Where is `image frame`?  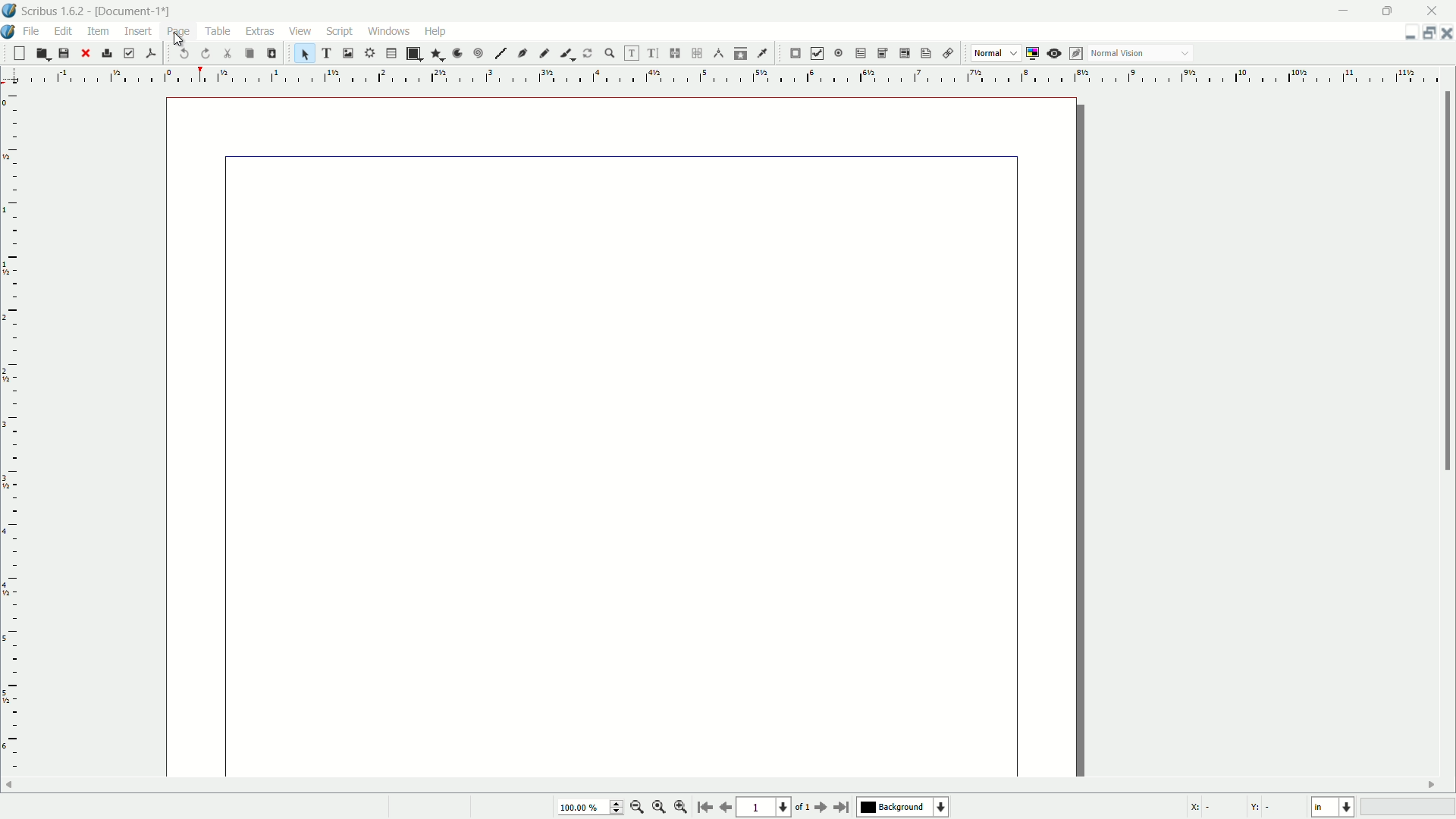 image frame is located at coordinates (347, 52).